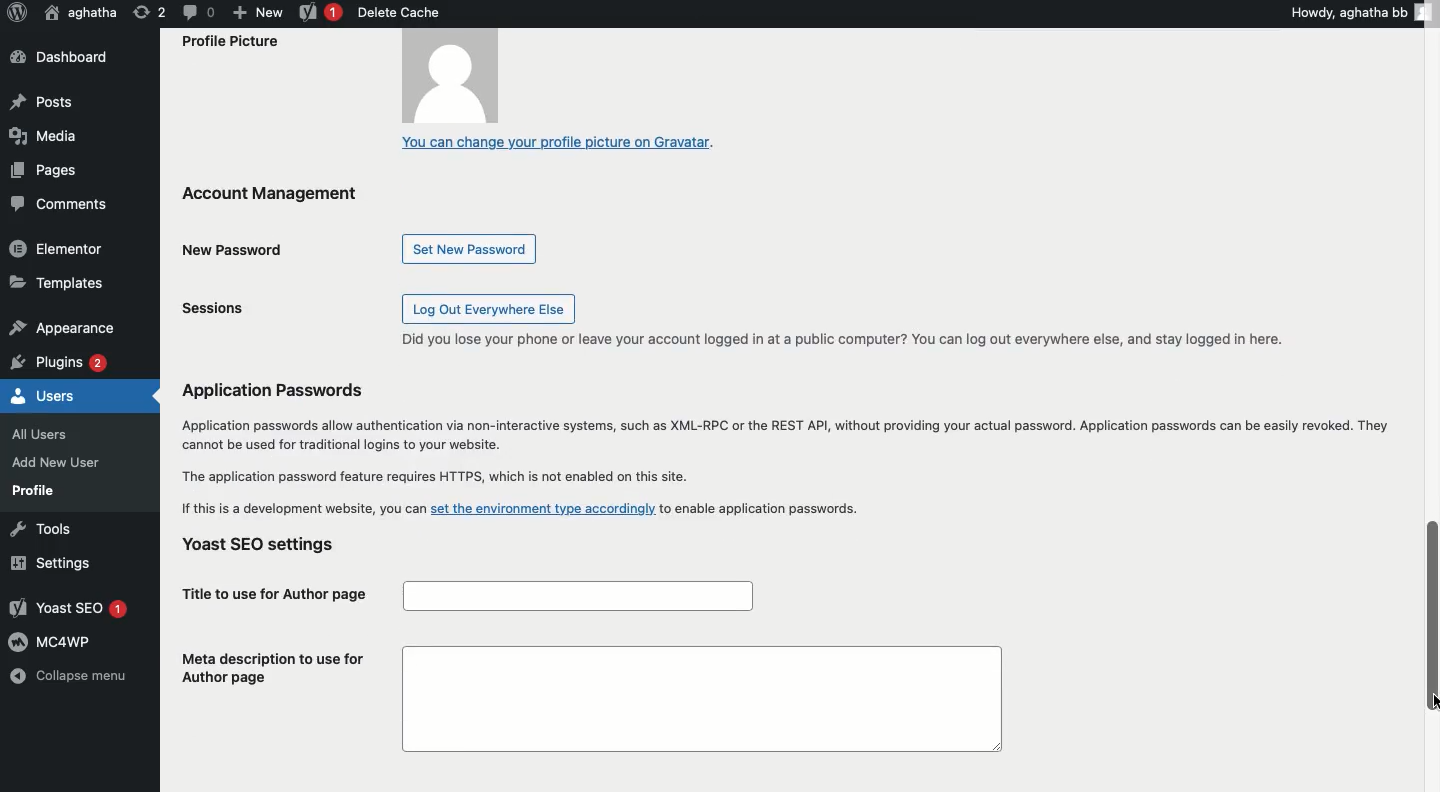  I want to click on Sessions, so click(221, 309).